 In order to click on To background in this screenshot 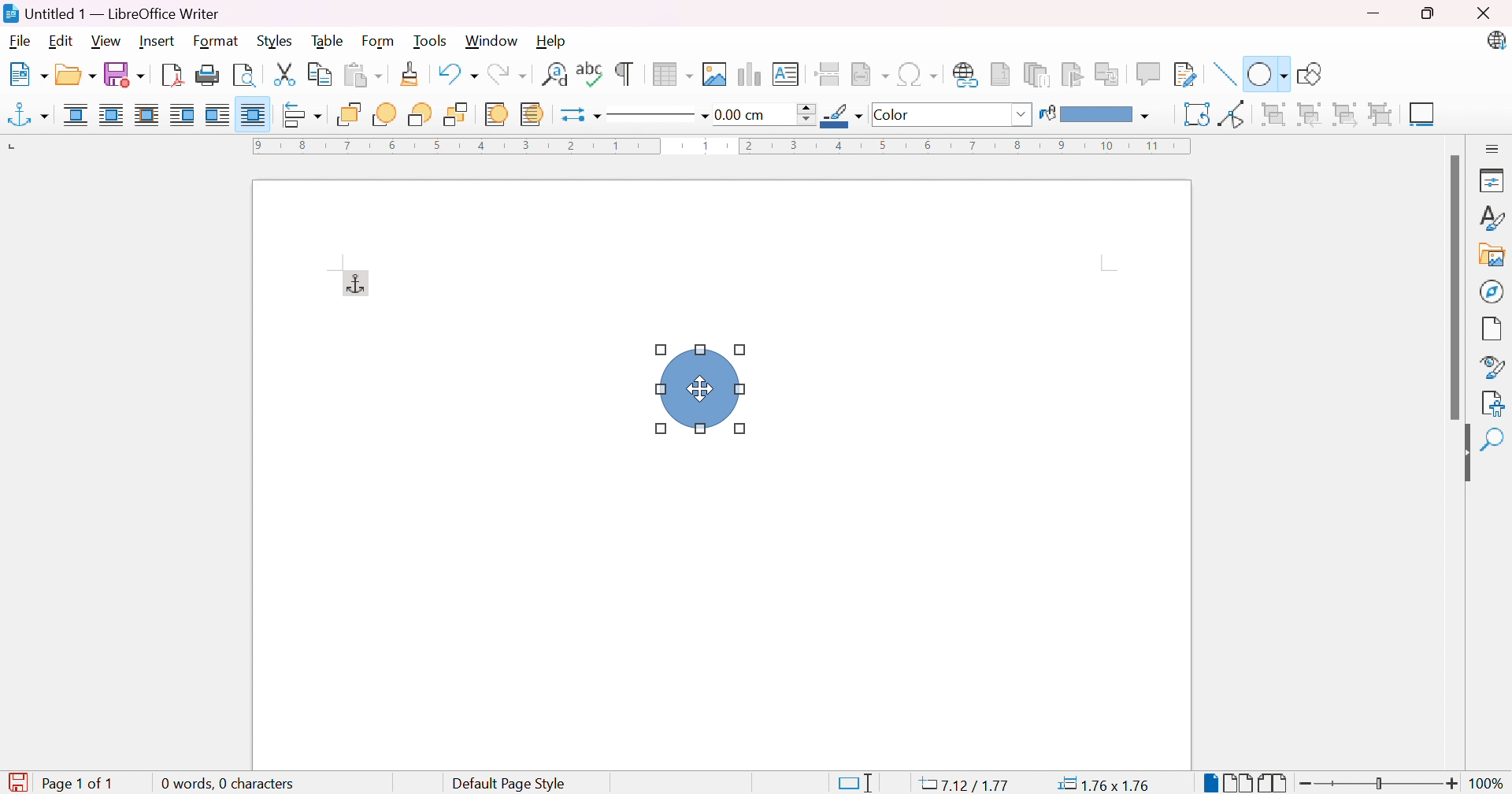, I will do `click(532, 115)`.